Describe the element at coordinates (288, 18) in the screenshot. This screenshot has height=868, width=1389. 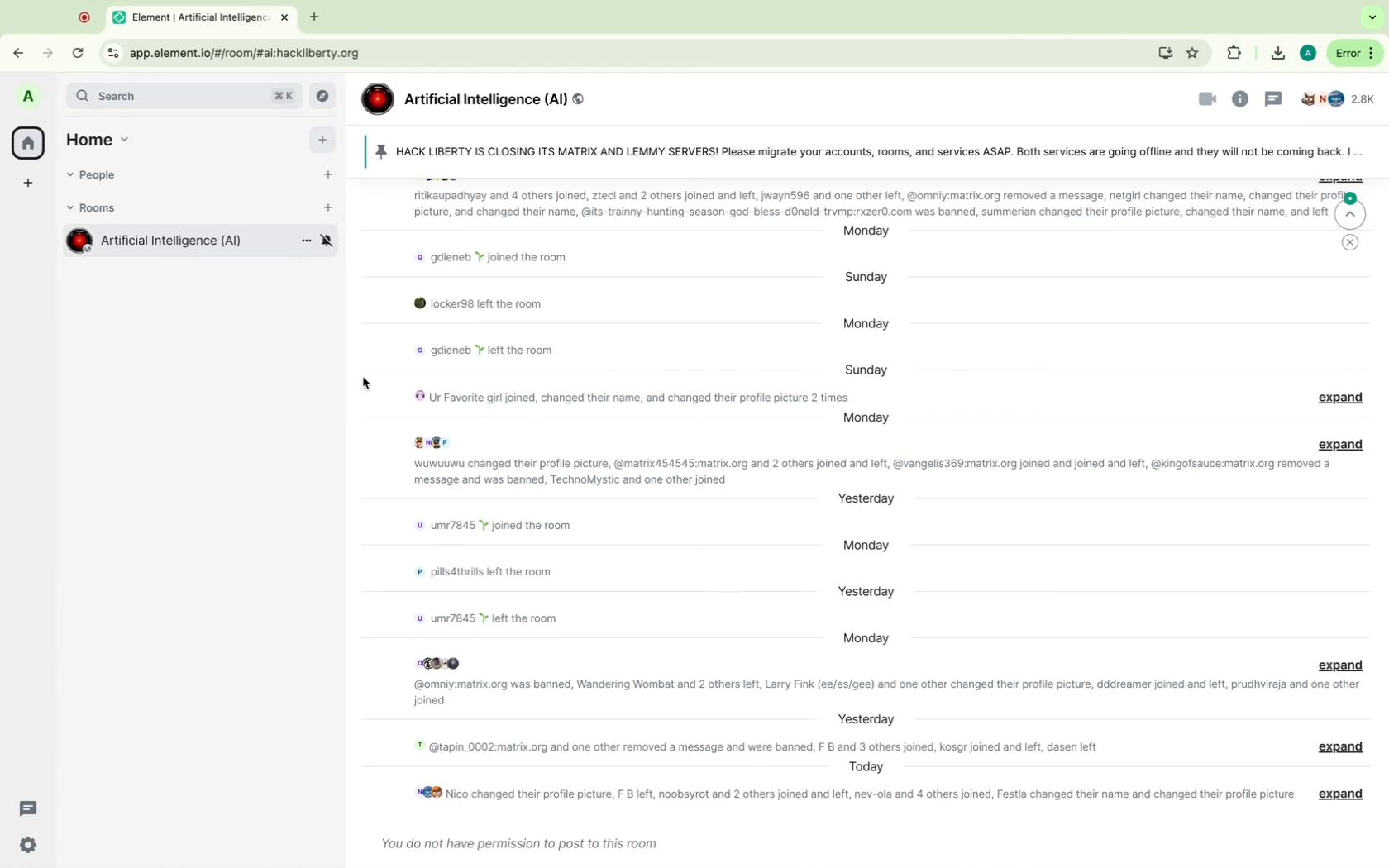
I see `close tab` at that location.